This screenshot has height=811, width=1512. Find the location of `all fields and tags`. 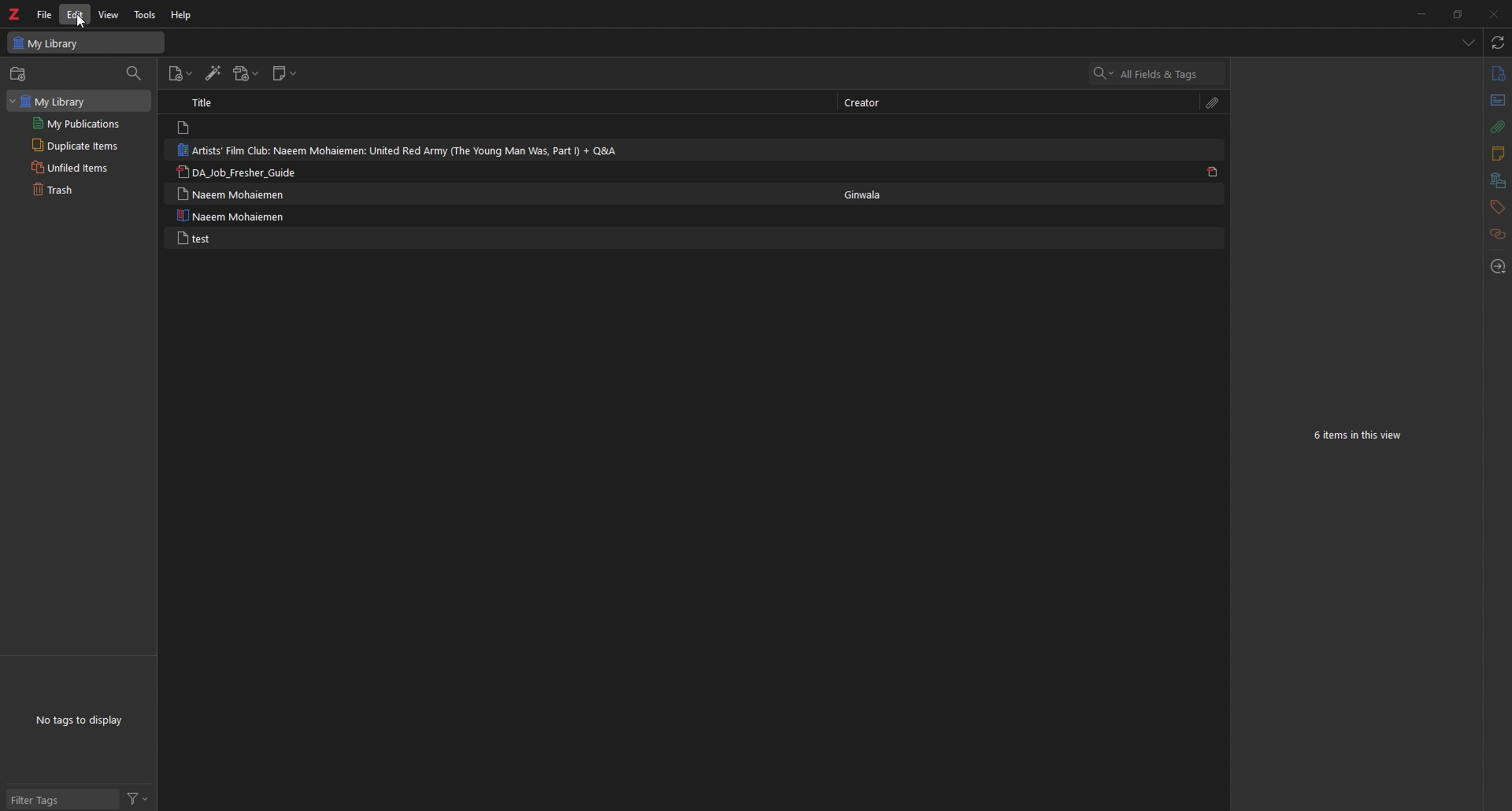

all fields and tags is located at coordinates (1158, 74).